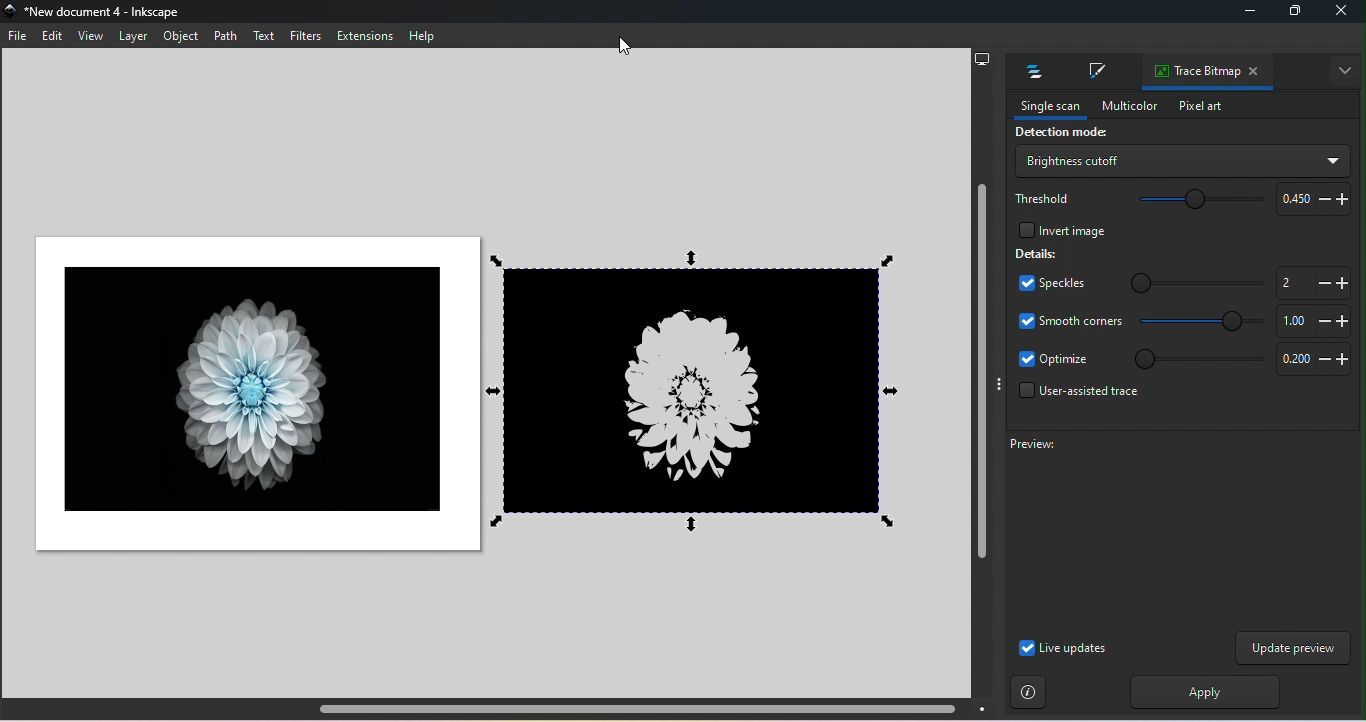 The height and width of the screenshot is (722, 1366). What do you see at coordinates (982, 57) in the screenshot?
I see `Display options` at bounding box center [982, 57].